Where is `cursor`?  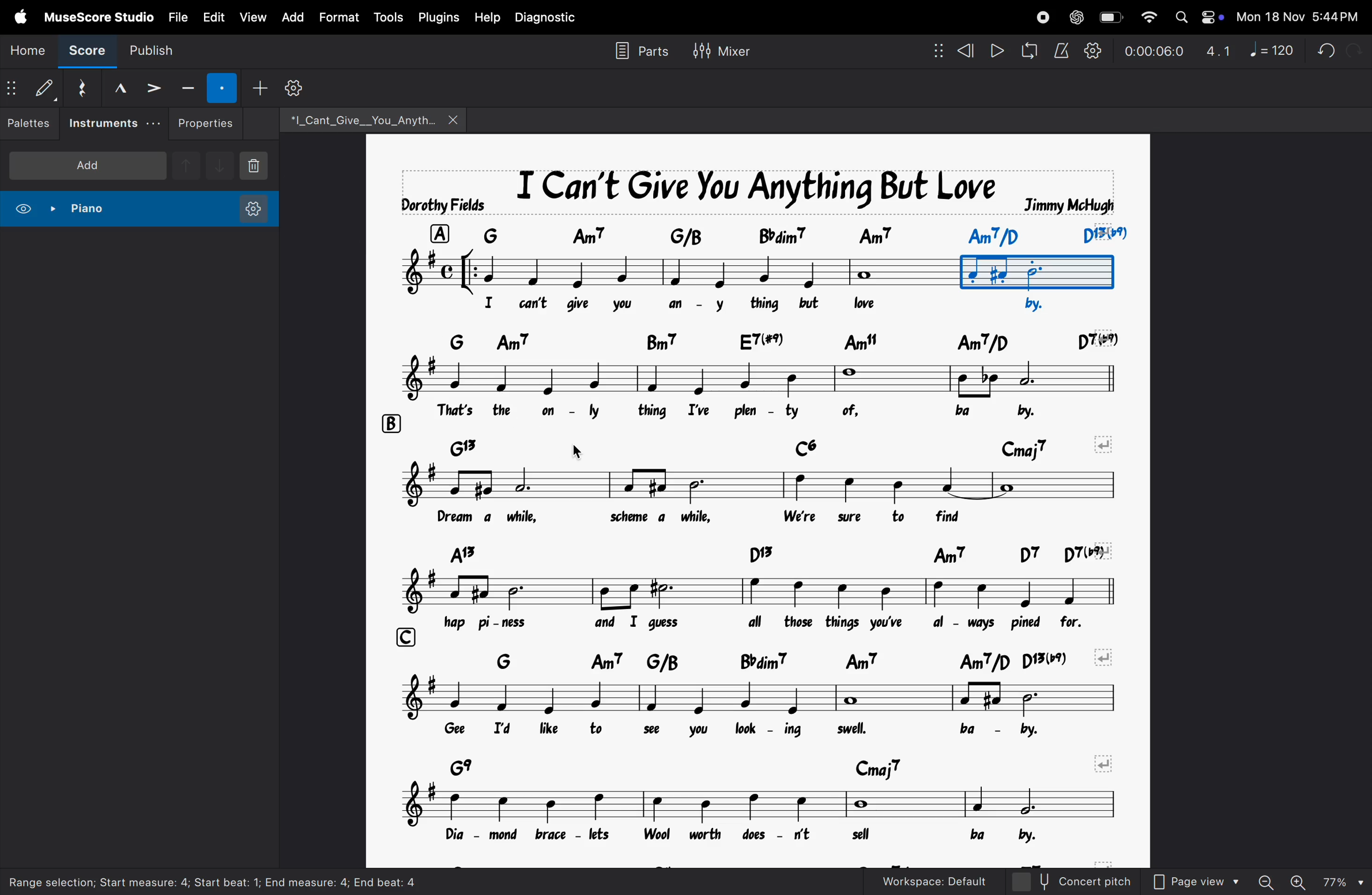 cursor is located at coordinates (578, 453).